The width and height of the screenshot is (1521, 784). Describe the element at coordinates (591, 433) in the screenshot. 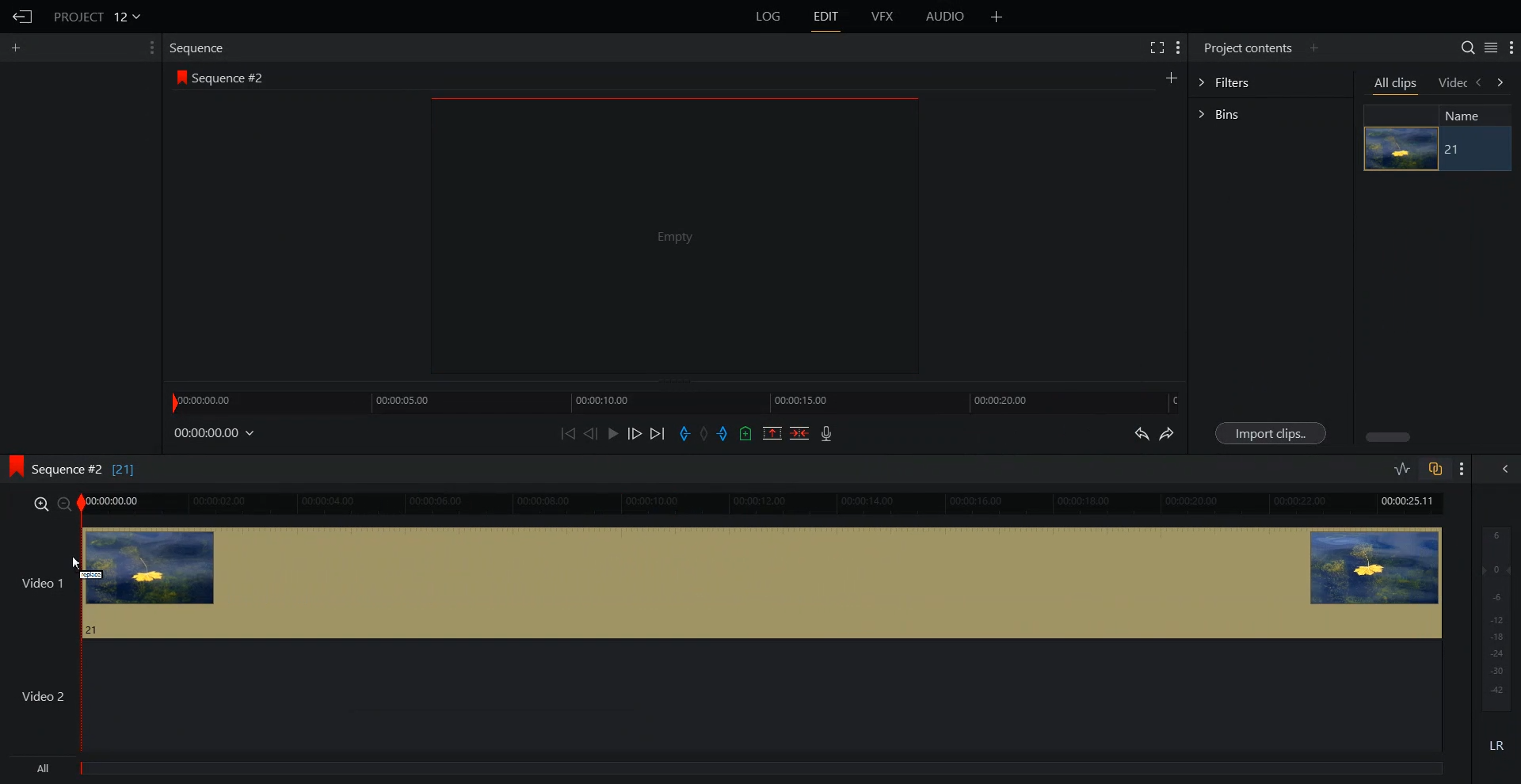

I see `Nudge One frame Back` at that location.